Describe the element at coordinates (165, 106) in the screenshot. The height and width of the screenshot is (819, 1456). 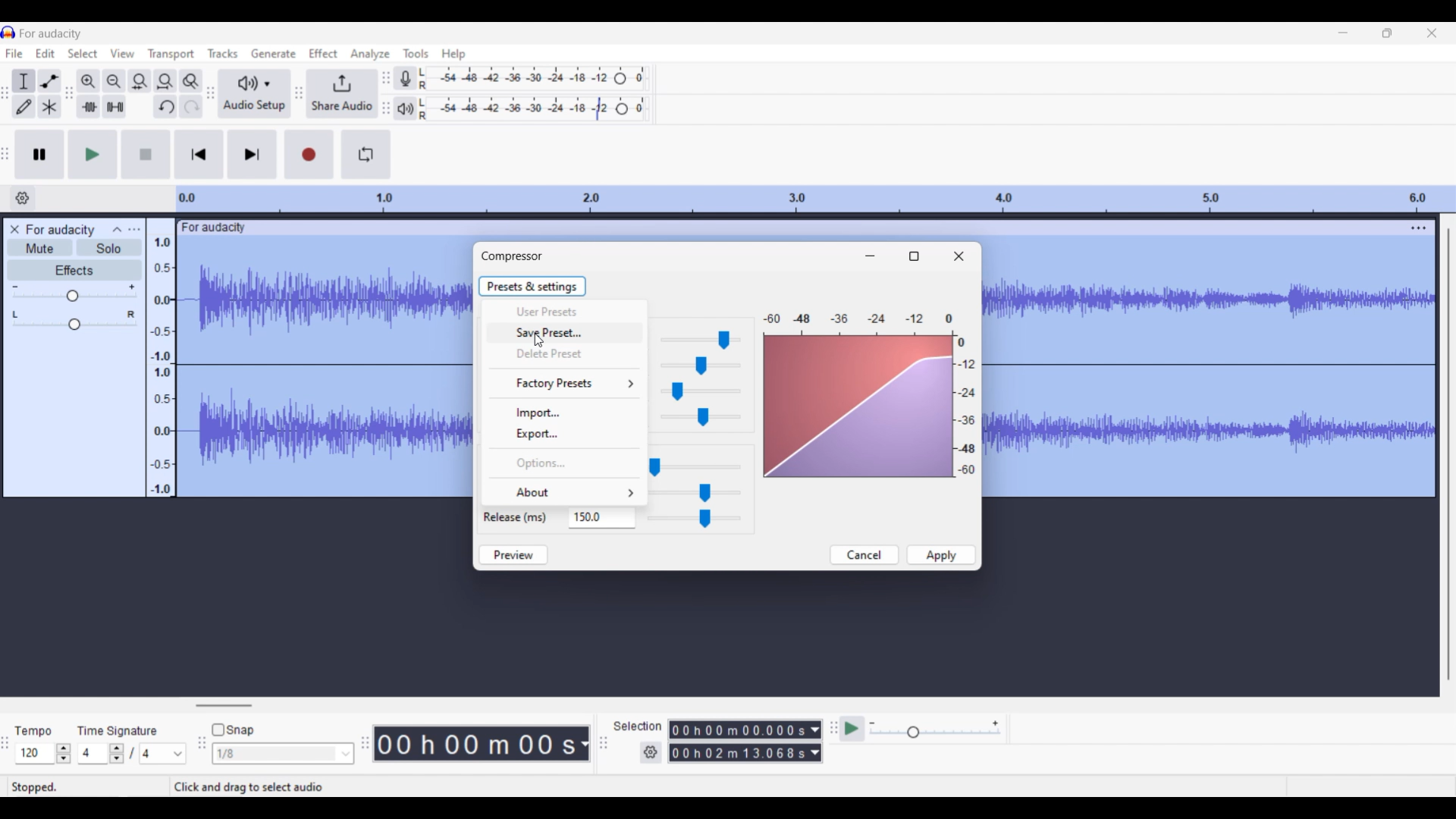
I see `Undo` at that location.